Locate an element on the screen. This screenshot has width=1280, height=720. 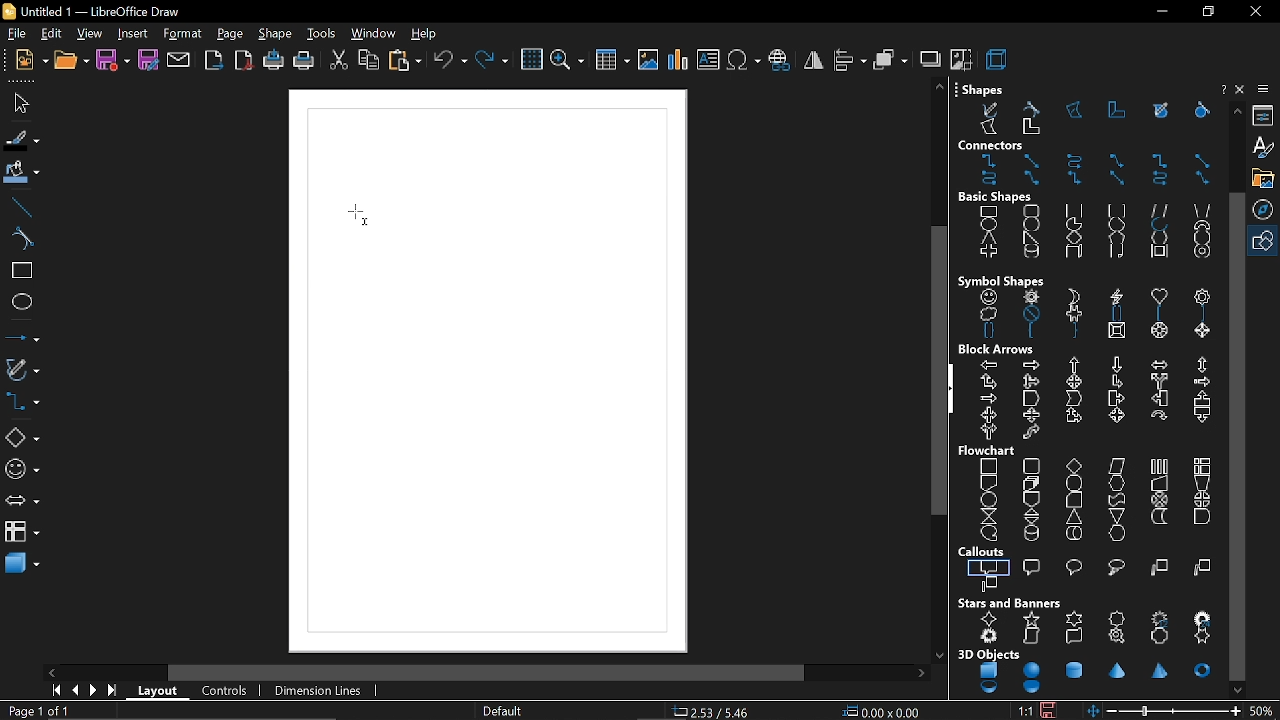
right arrow is located at coordinates (1030, 364).